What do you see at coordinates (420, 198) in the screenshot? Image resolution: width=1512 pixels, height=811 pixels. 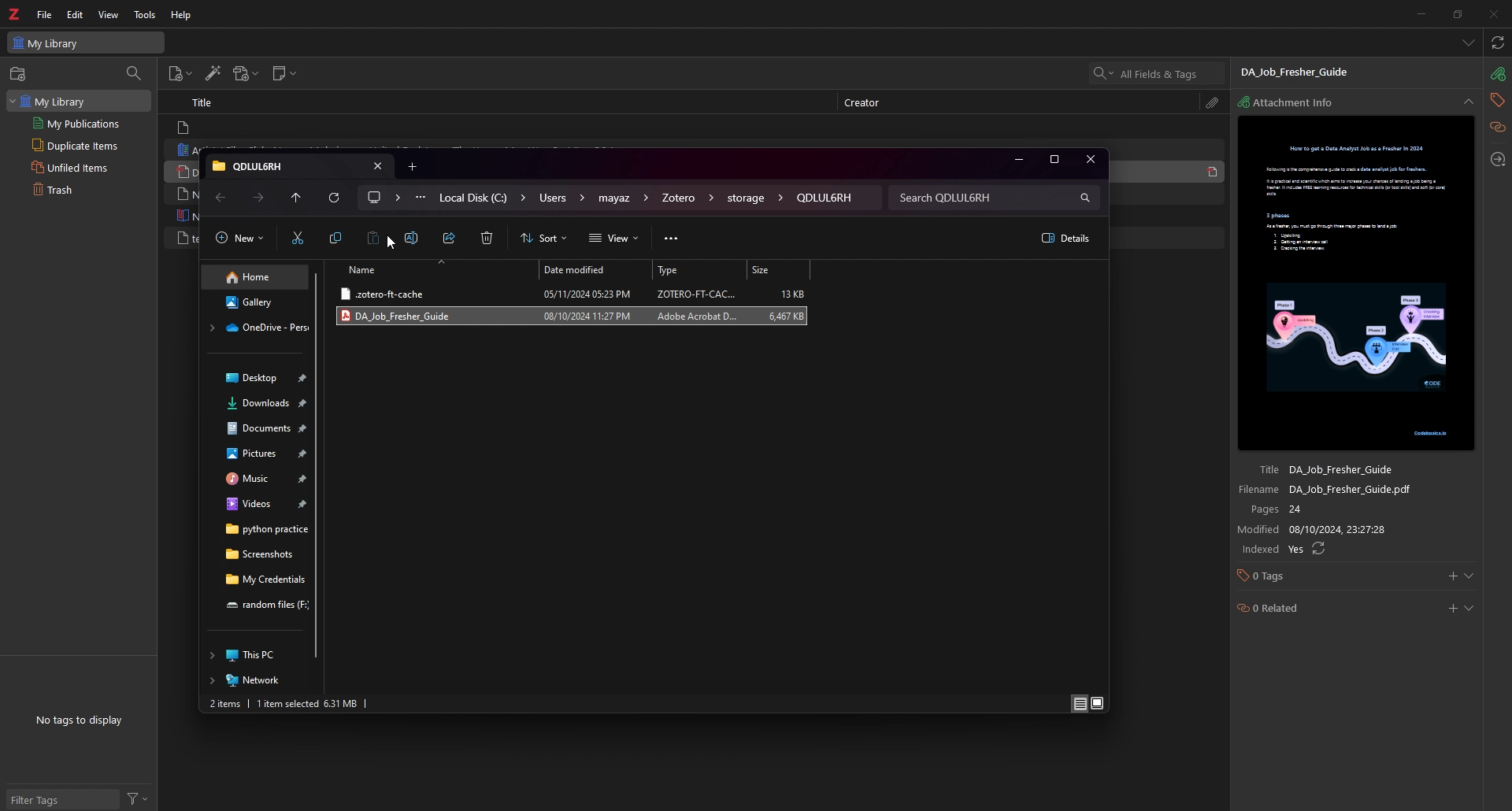 I see `More` at bounding box center [420, 198].